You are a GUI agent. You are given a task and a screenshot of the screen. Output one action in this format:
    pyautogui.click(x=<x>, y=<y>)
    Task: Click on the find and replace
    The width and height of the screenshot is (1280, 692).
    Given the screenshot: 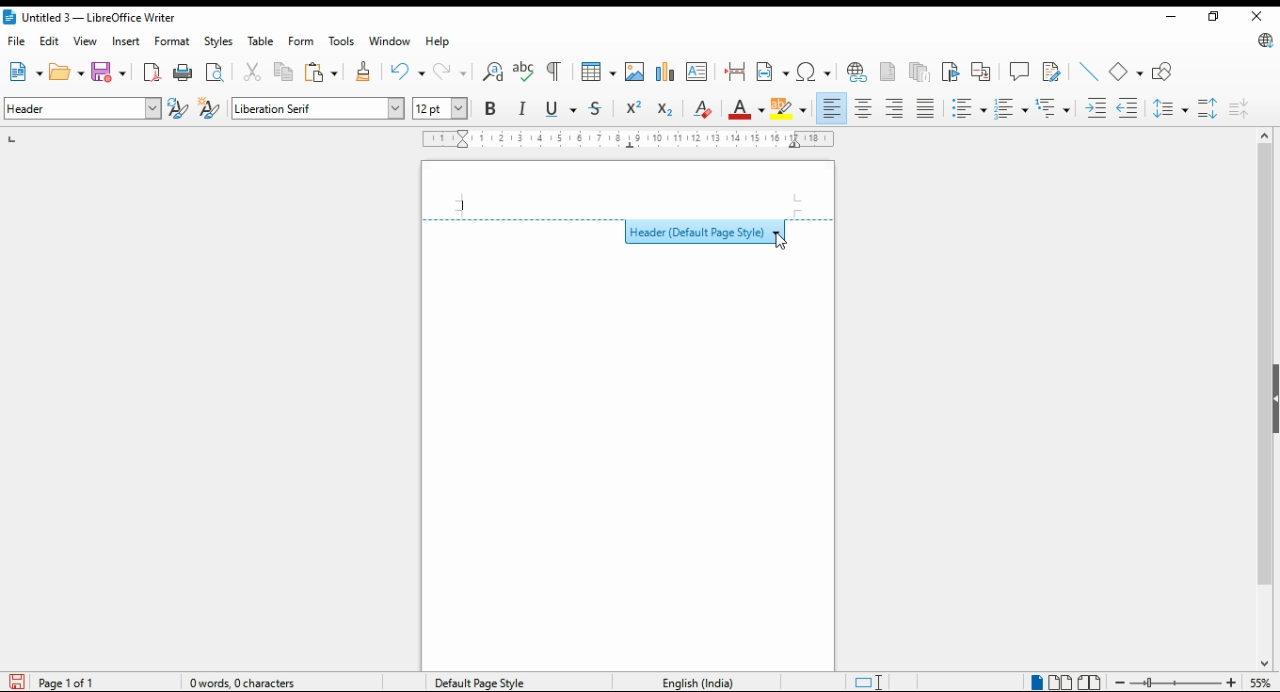 What is the action you would take?
    pyautogui.click(x=494, y=72)
    